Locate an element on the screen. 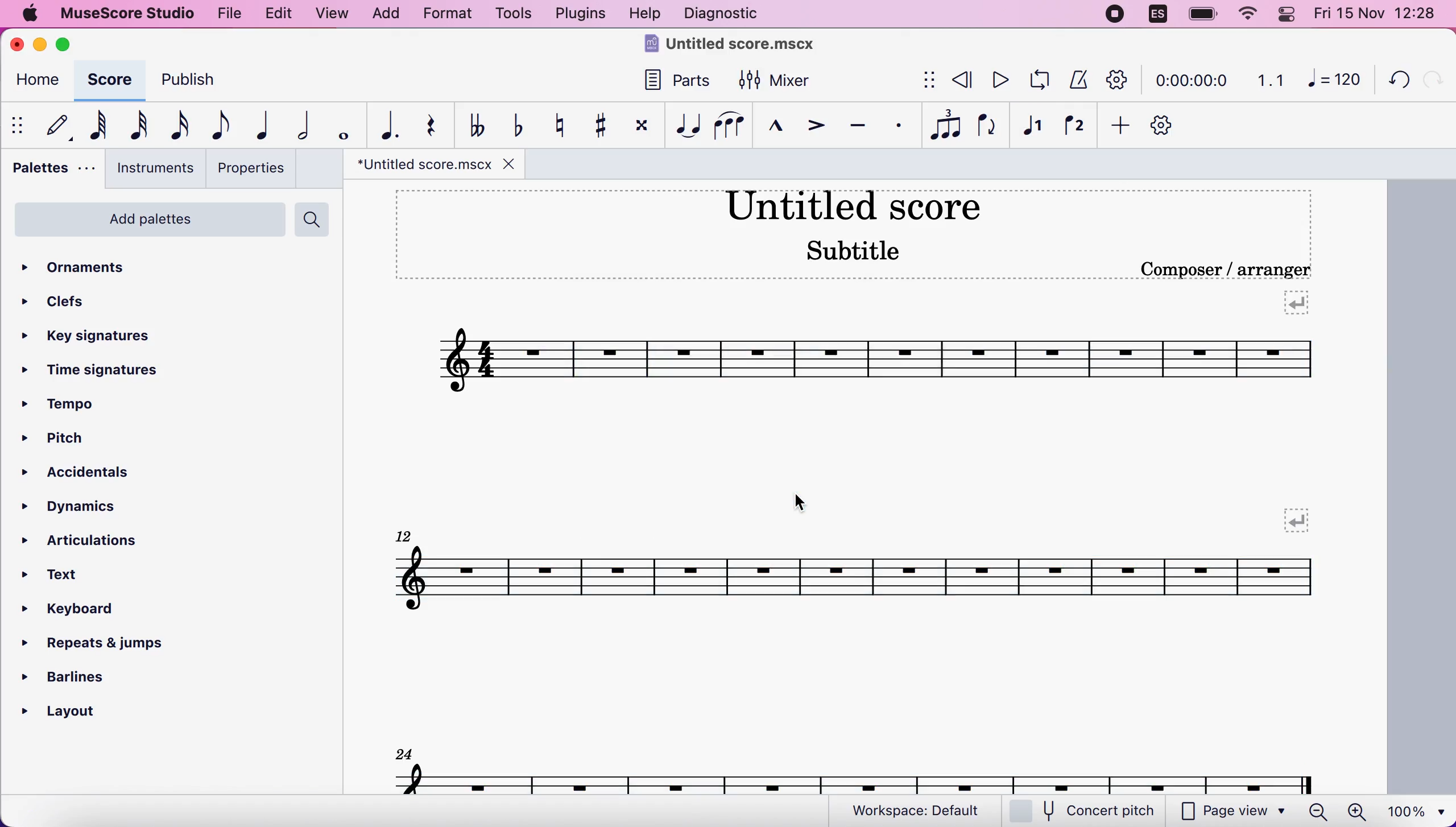 This screenshot has height=827, width=1456. customization tool is located at coordinates (1172, 126).